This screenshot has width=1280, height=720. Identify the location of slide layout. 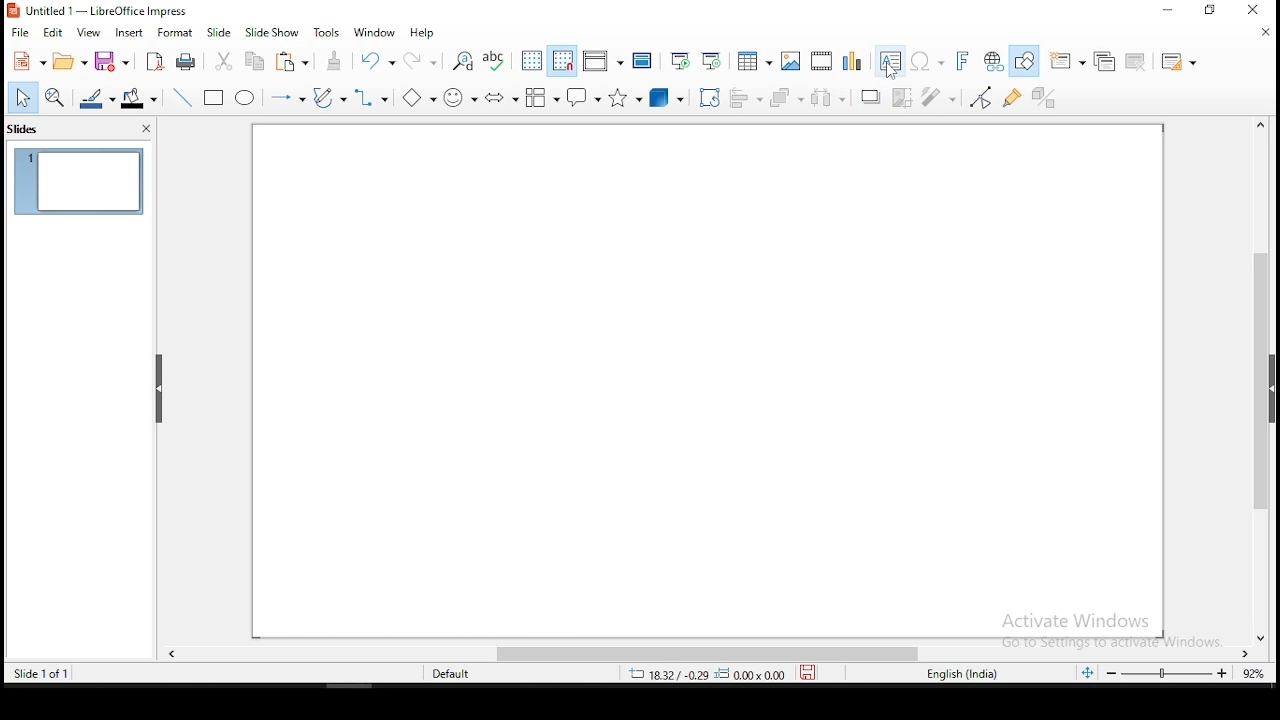
(1181, 62).